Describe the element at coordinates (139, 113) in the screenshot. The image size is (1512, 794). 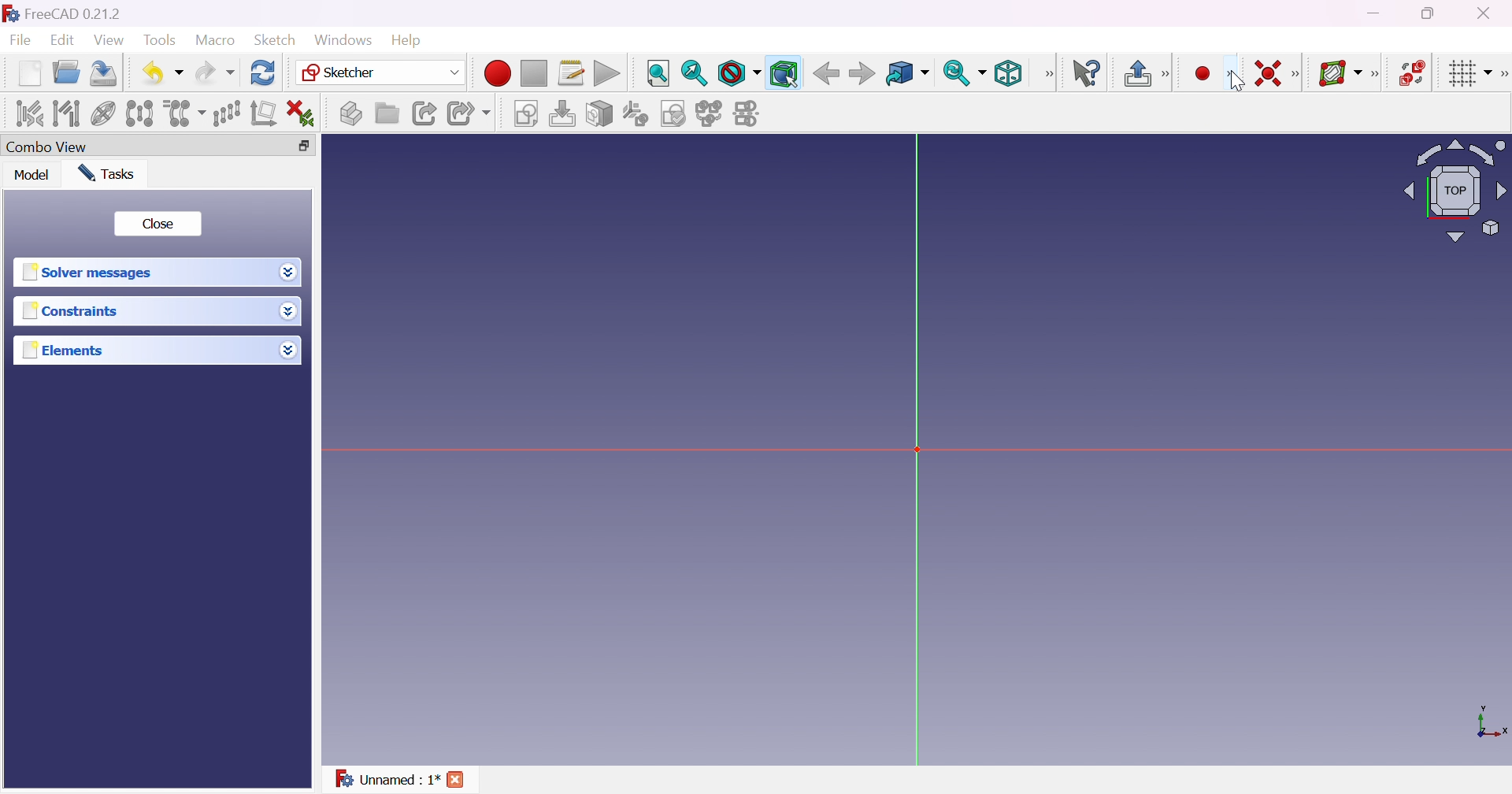
I see `Symmetry` at that location.